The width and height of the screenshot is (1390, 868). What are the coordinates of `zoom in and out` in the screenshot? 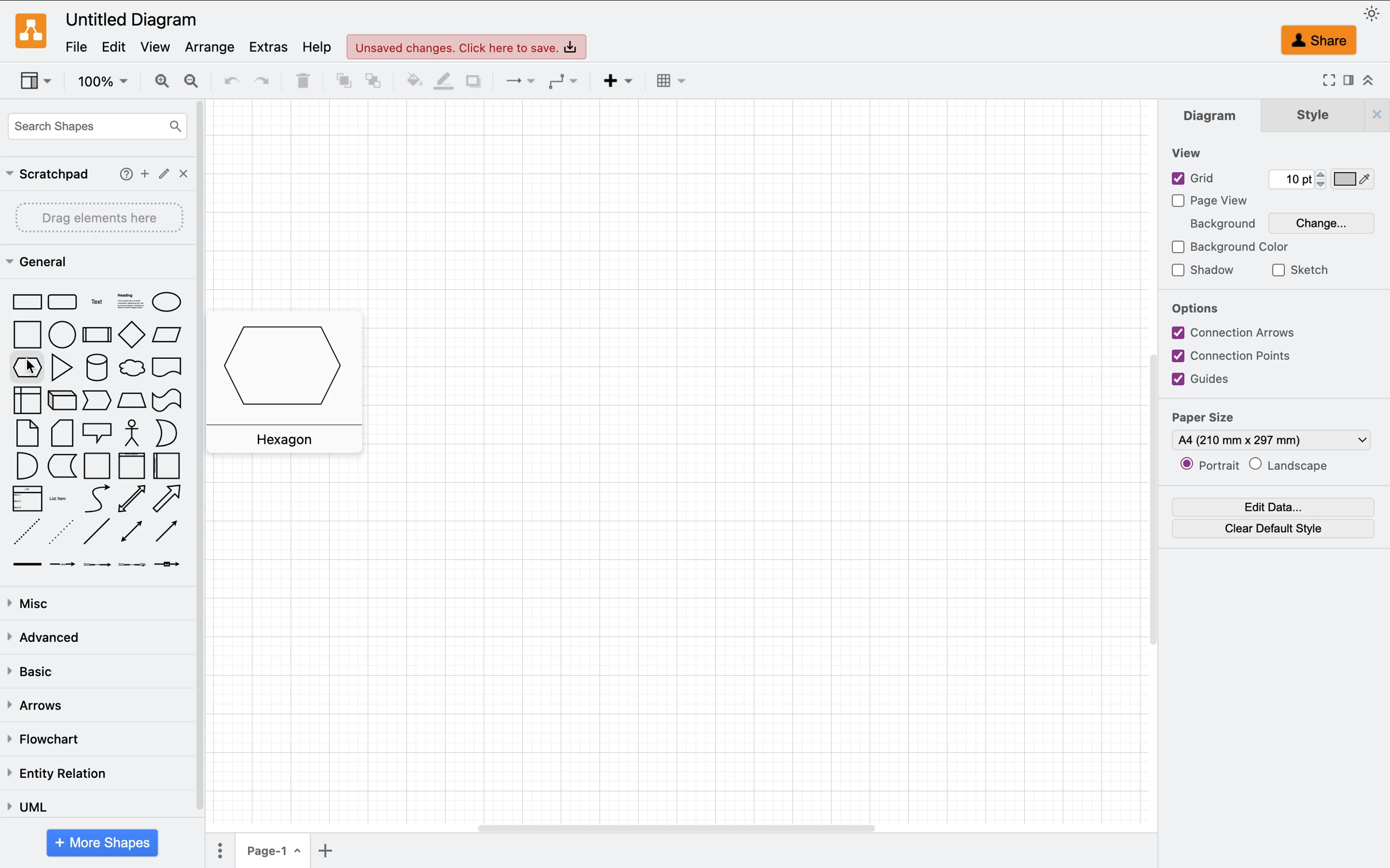 It's located at (175, 81).